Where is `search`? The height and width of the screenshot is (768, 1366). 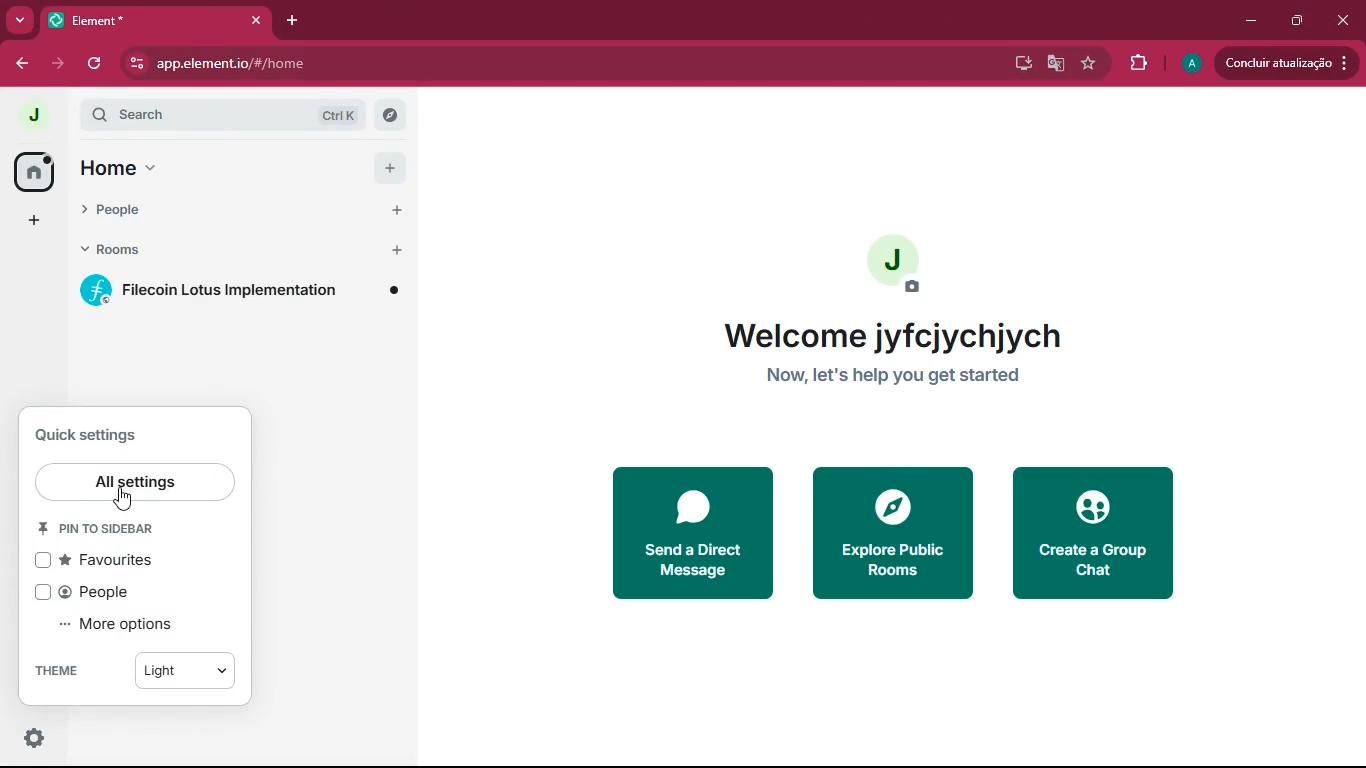
search is located at coordinates (230, 116).